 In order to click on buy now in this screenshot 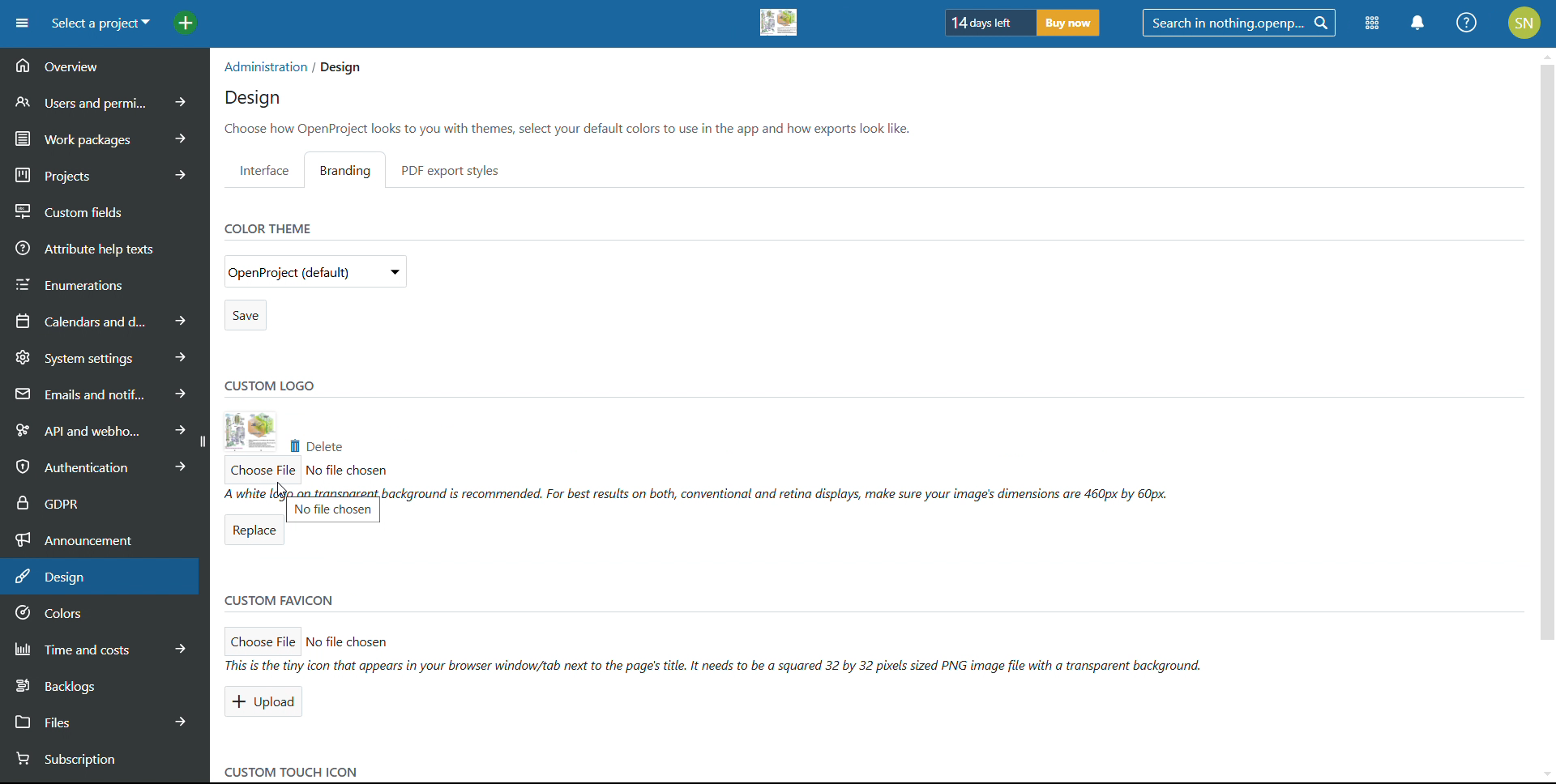, I will do `click(1068, 23)`.